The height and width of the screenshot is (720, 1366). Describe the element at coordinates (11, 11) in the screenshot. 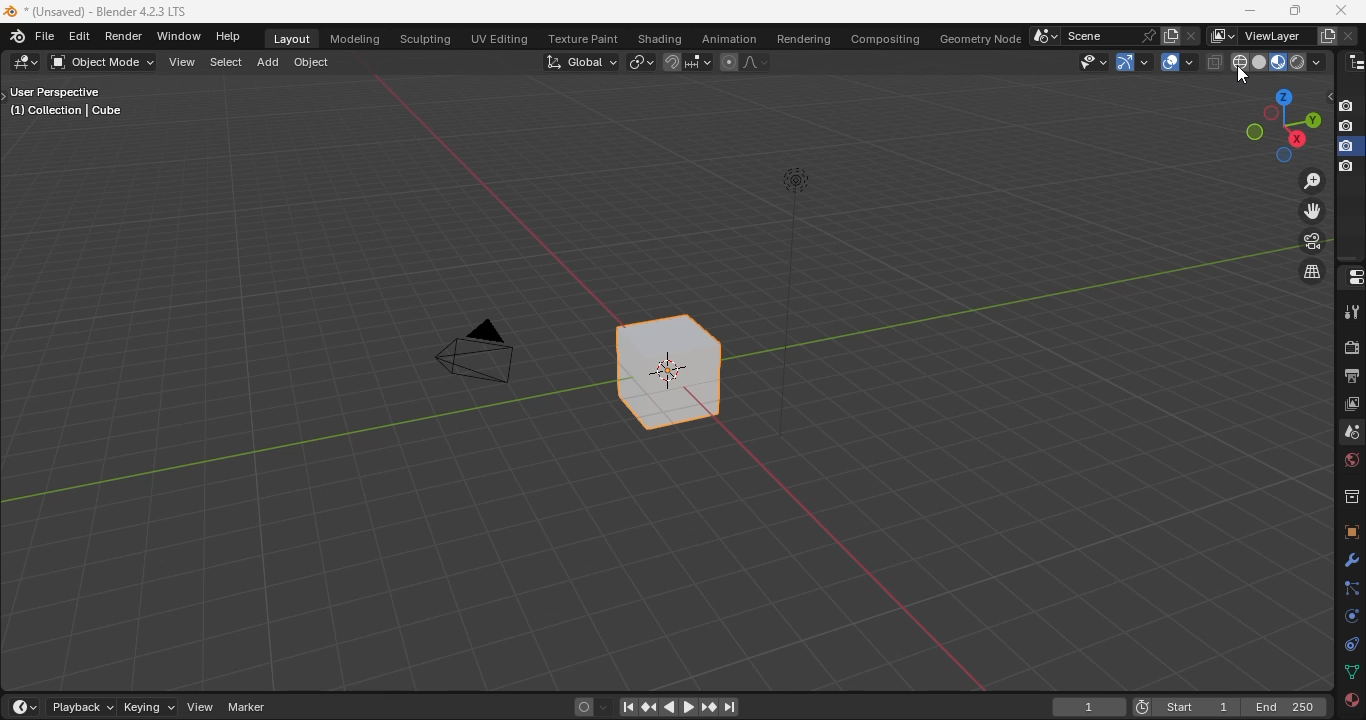

I see `logo` at that location.